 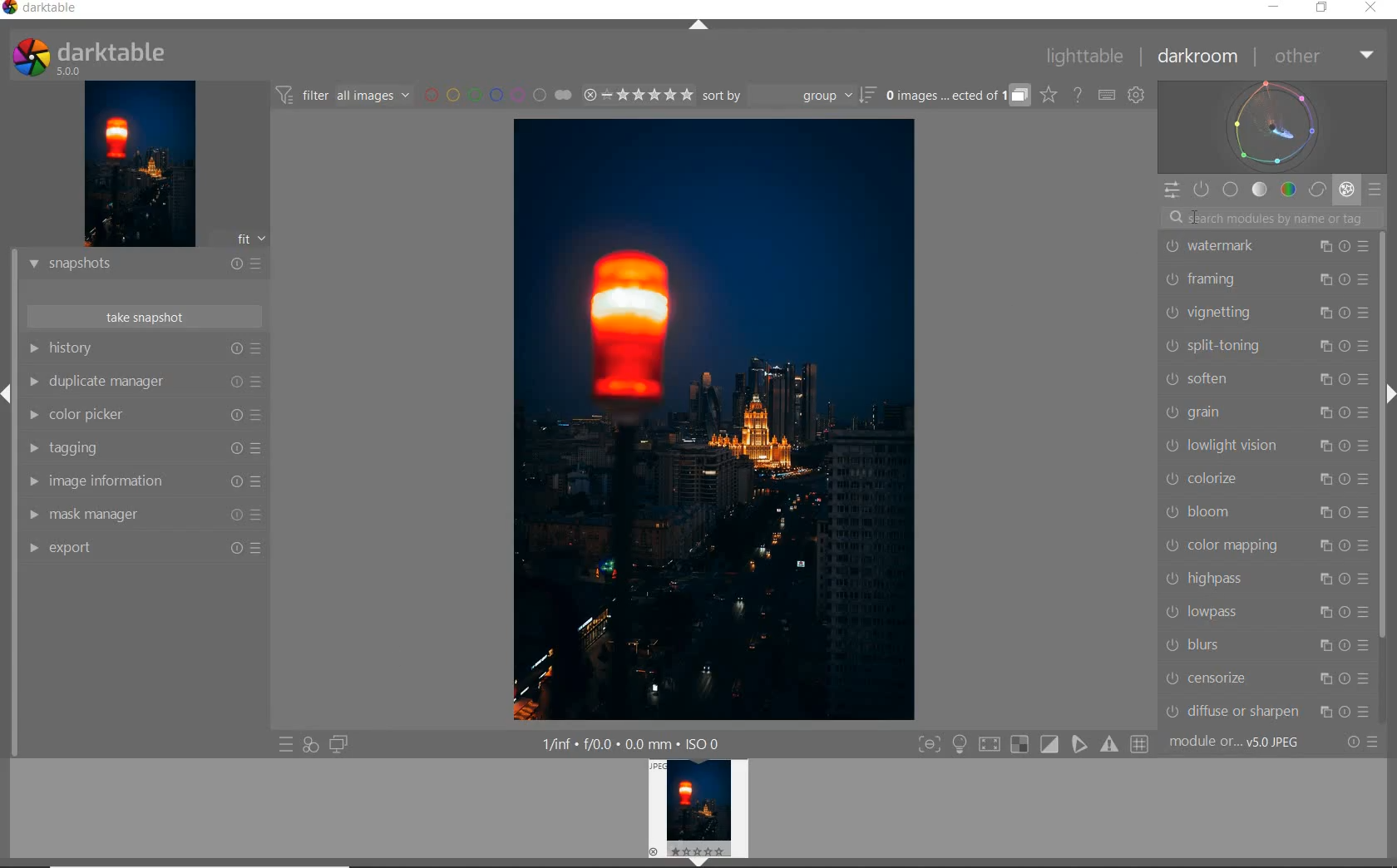 What do you see at coordinates (1217, 648) in the screenshot?
I see `BLURS` at bounding box center [1217, 648].